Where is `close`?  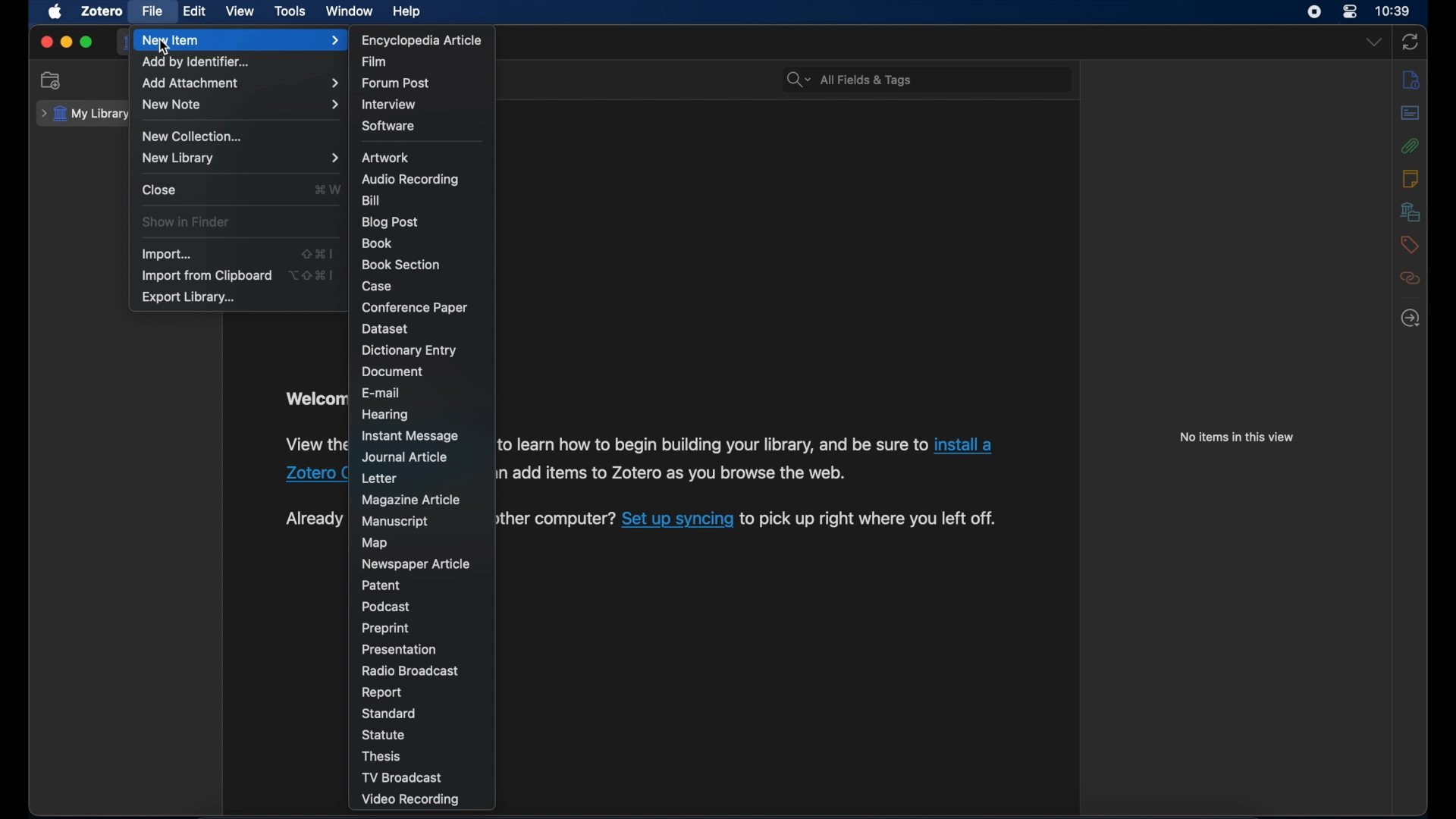
close is located at coordinates (45, 42).